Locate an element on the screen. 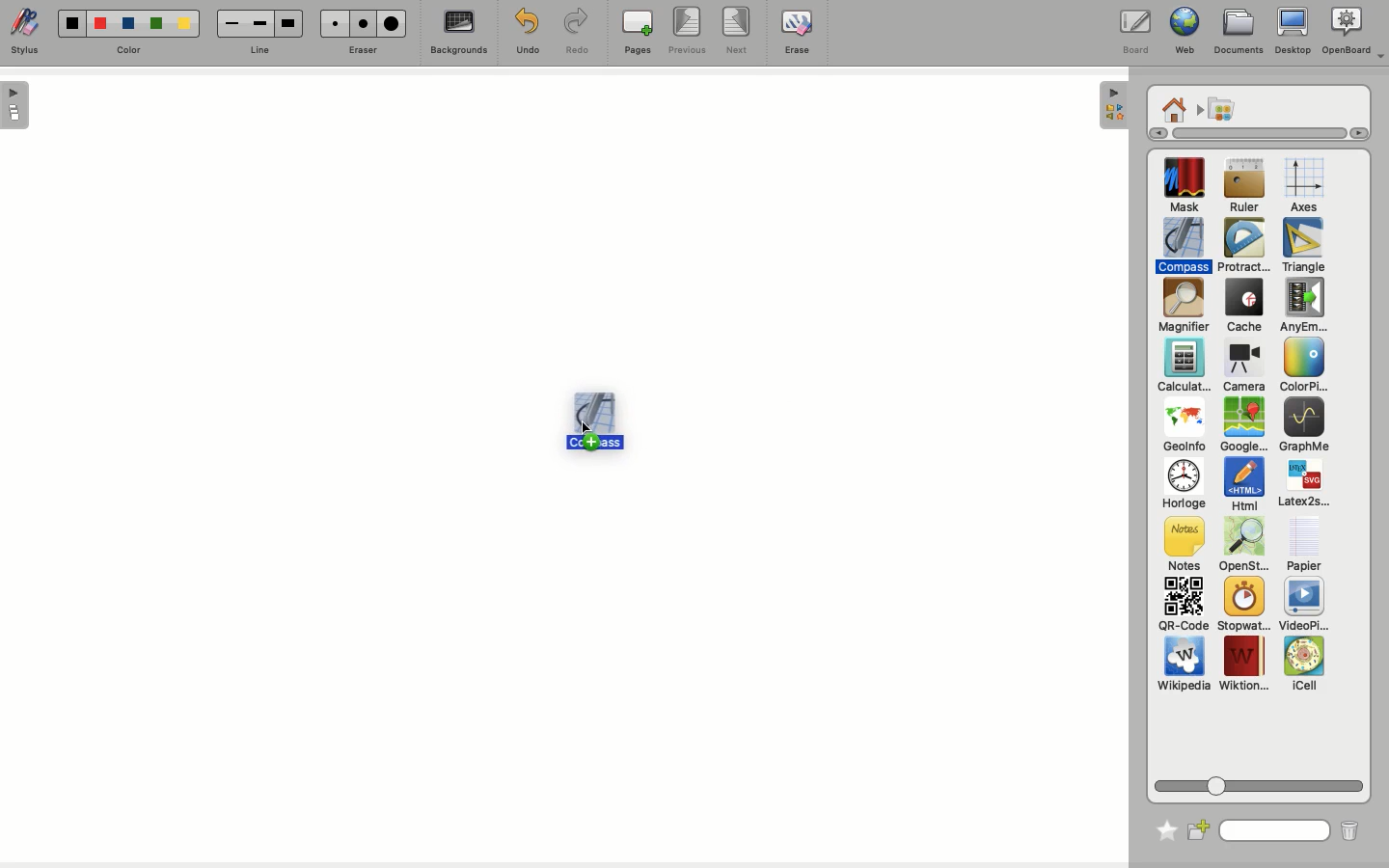 The height and width of the screenshot is (868, 1389). Backgrounds is located at coordinates (456, 35).